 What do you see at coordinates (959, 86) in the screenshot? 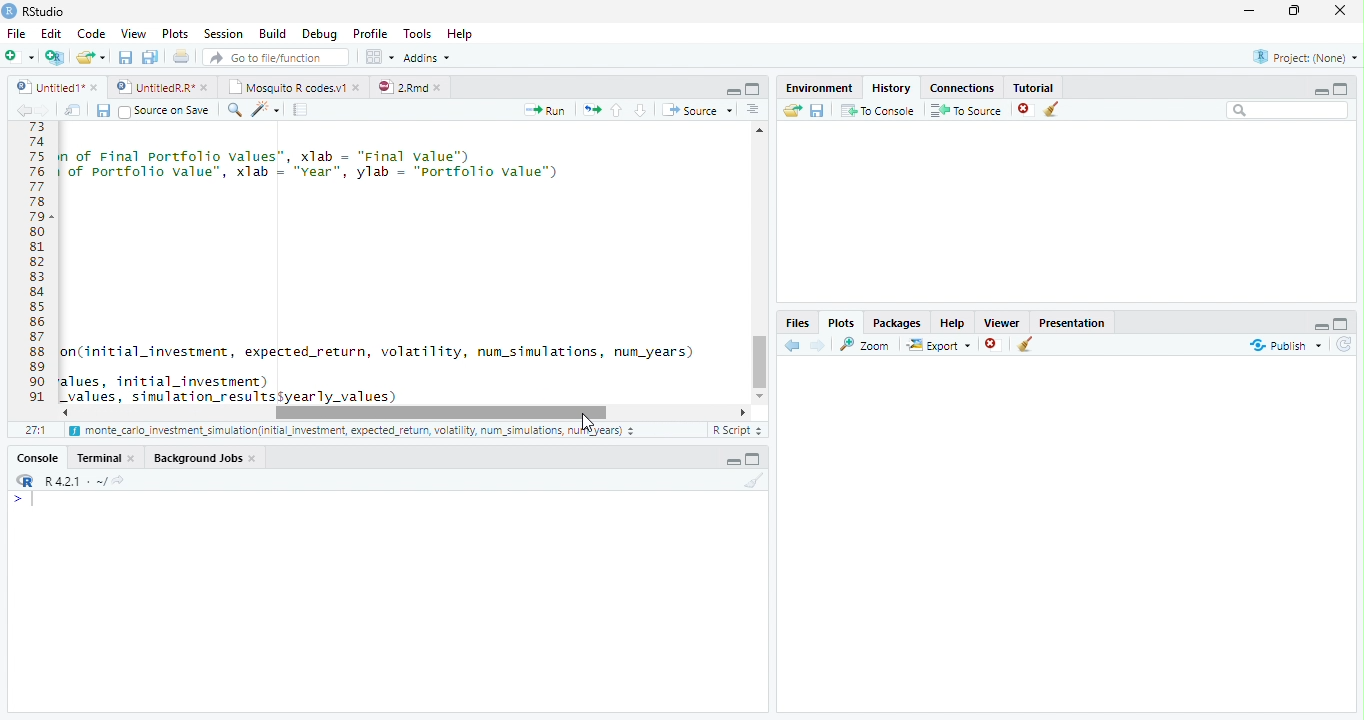
I see `‘Connections` at bounding box center [959, 86].